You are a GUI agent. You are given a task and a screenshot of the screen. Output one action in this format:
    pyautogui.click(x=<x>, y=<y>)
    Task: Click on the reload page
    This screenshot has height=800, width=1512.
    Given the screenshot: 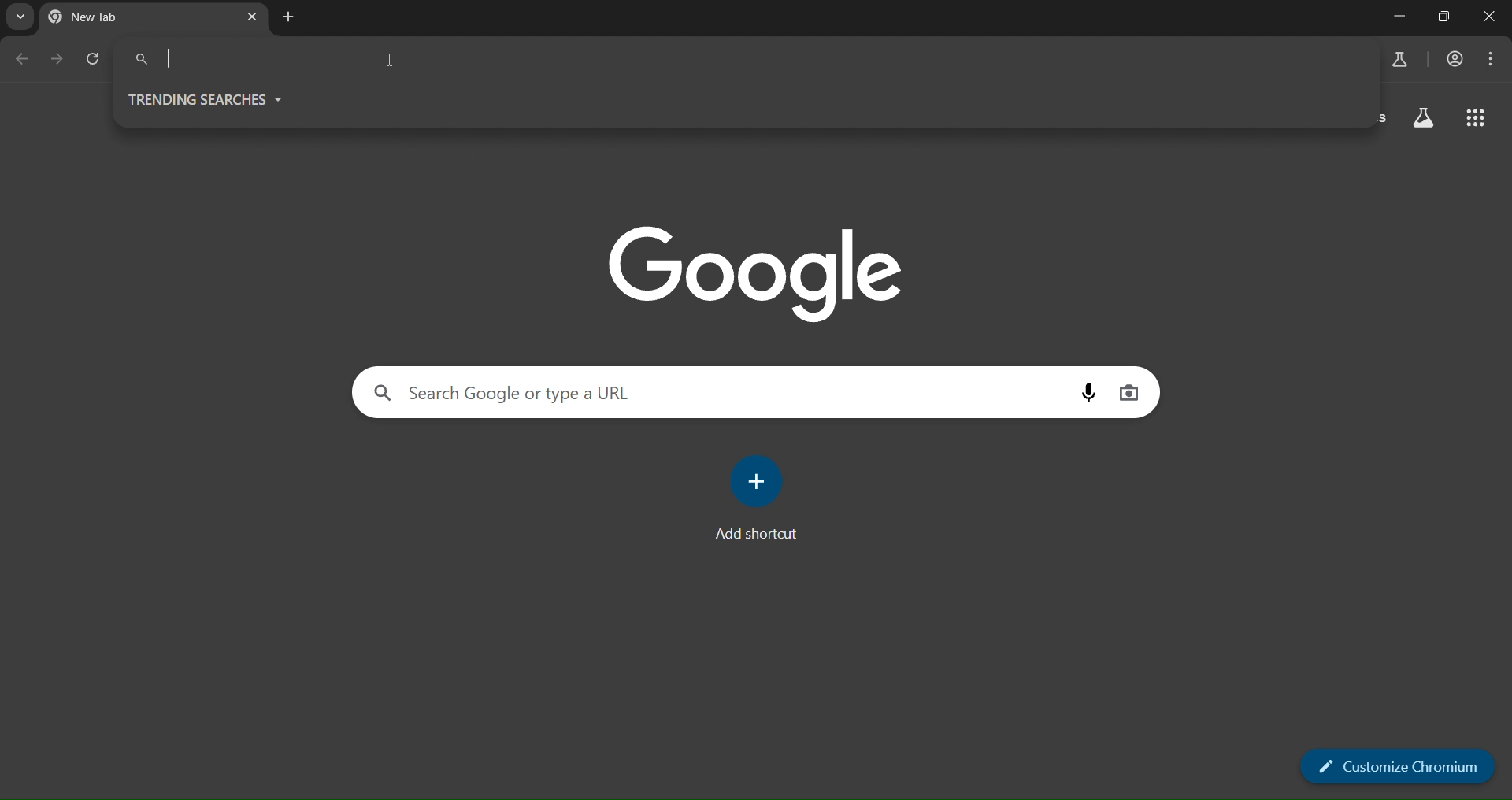 What is the action you would take?
    pyautogui.click(x=98, y=59)
    